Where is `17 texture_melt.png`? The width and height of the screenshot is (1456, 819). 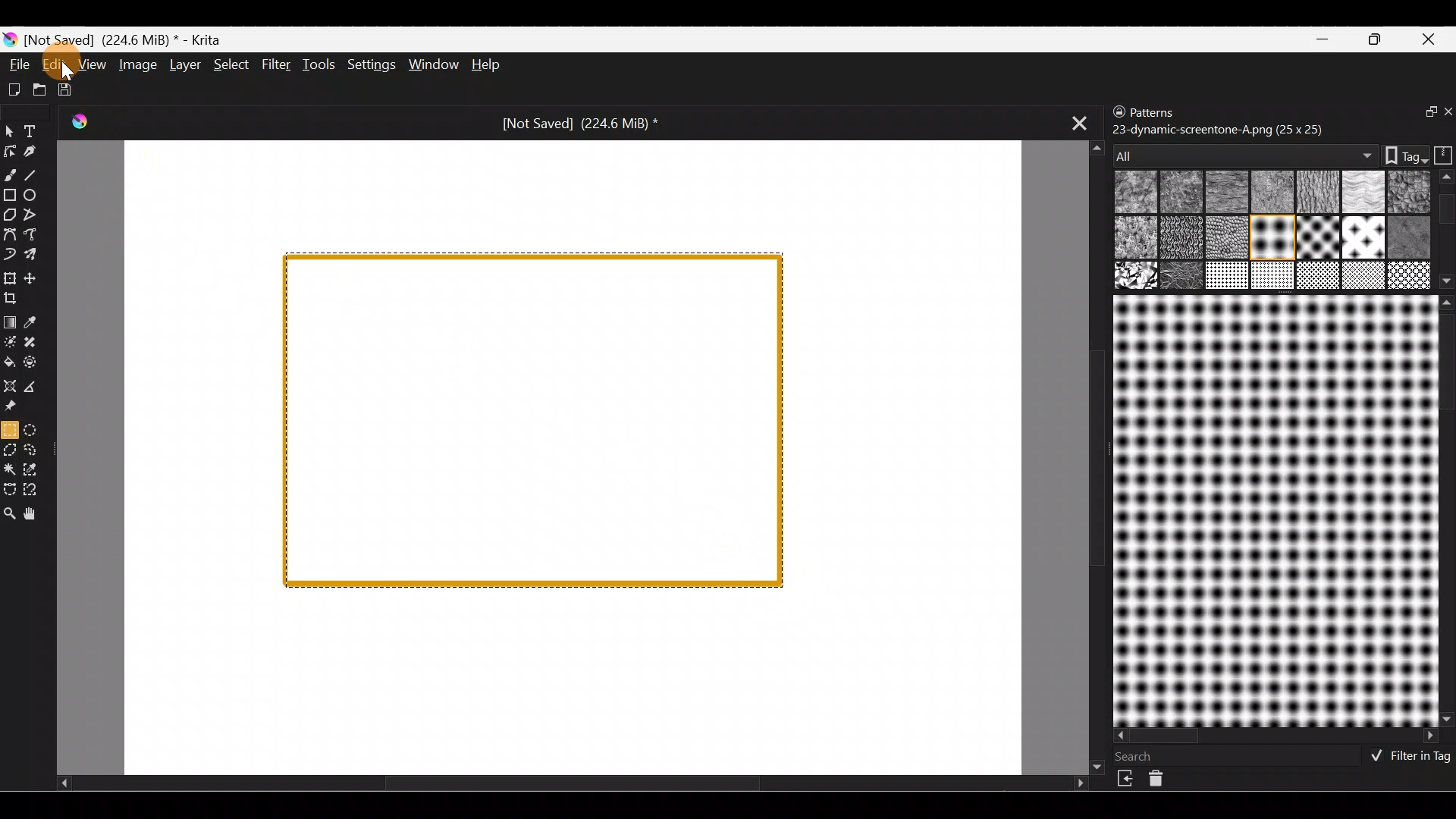 17 texture_melt.png is located at coordinates (1274, 275).